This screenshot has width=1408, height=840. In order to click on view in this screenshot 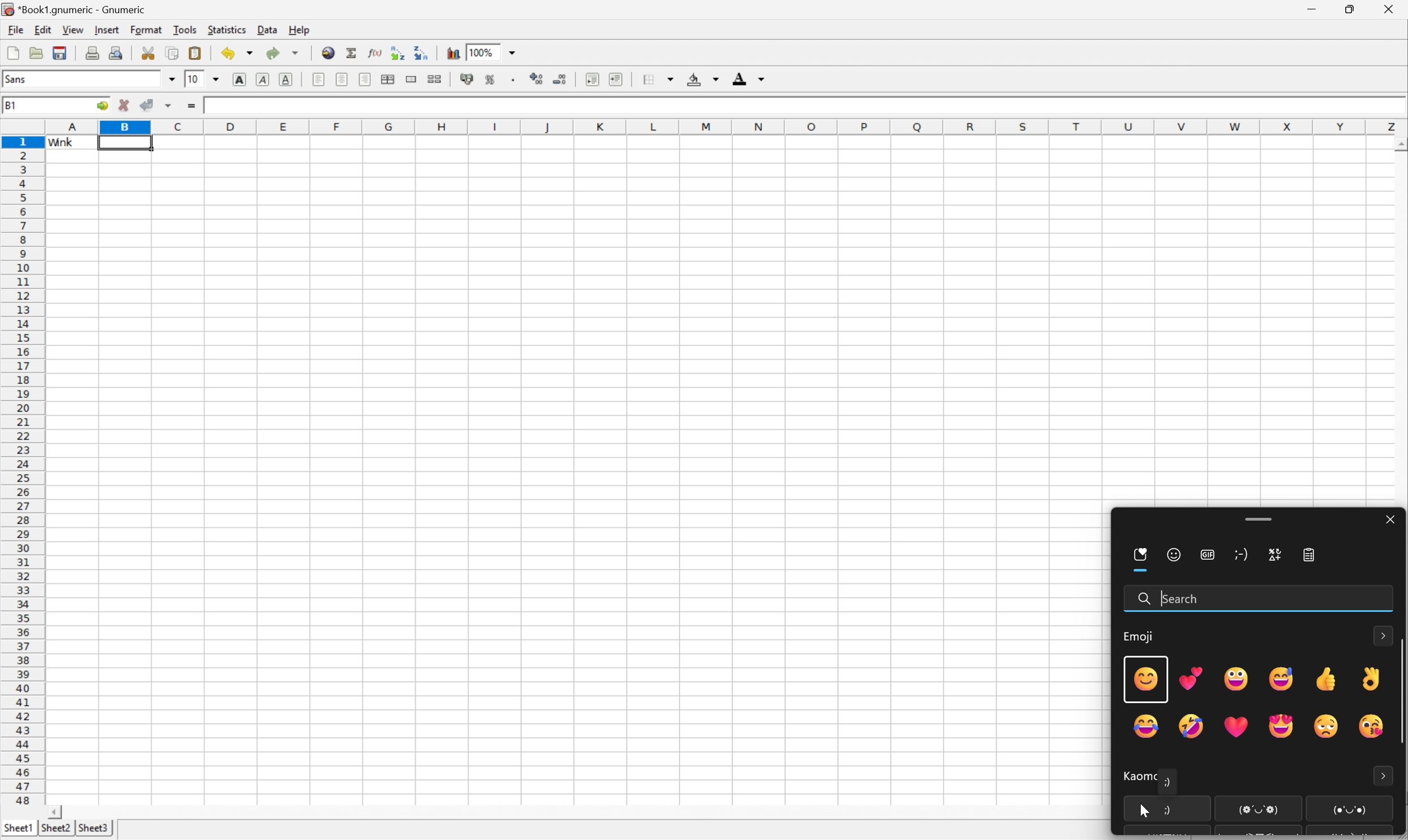, I will do `click(71, 31)`.